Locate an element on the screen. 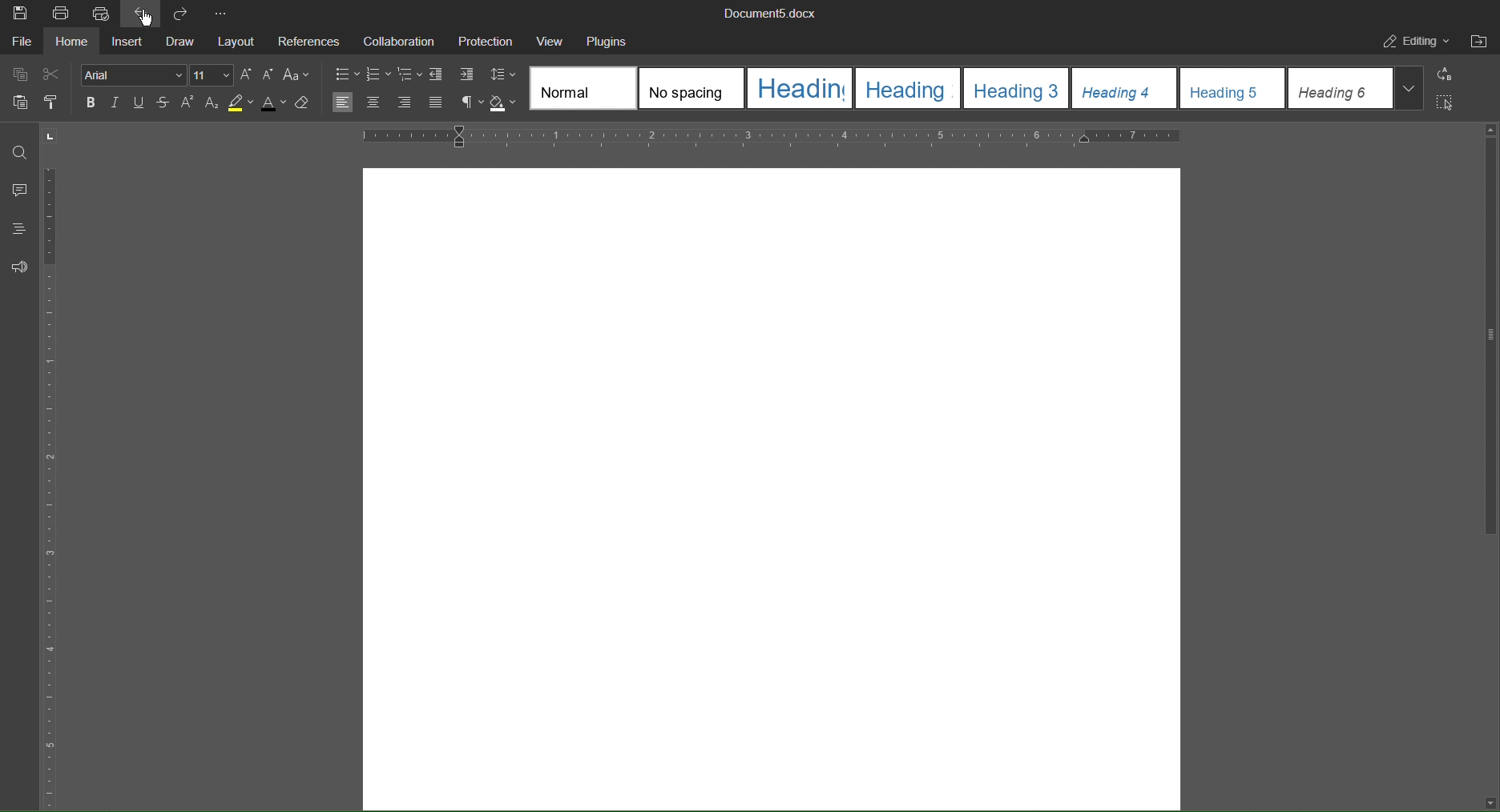  Strikethrough is located at coordinates (163, 103).